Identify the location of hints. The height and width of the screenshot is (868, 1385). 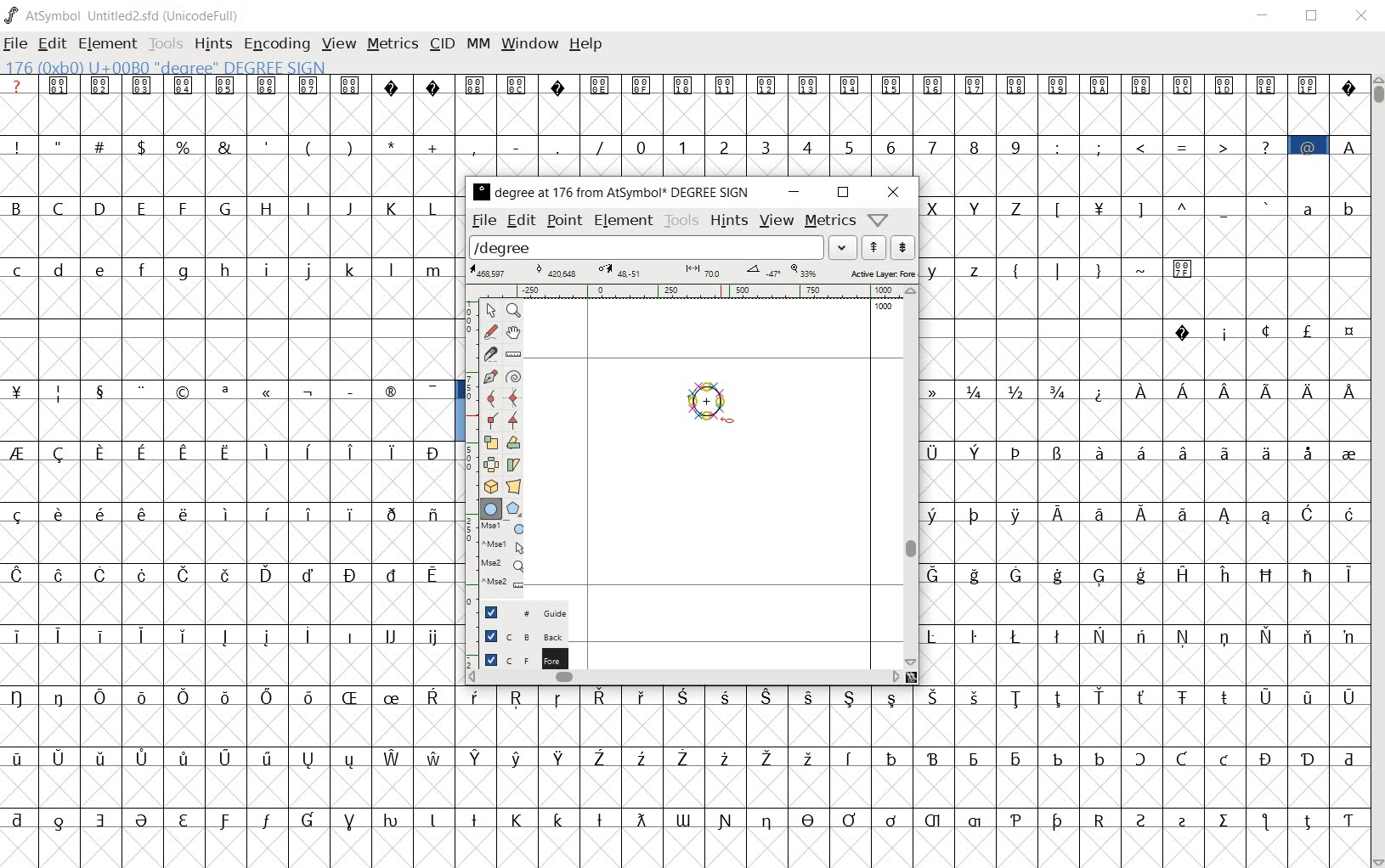
(729, 221).